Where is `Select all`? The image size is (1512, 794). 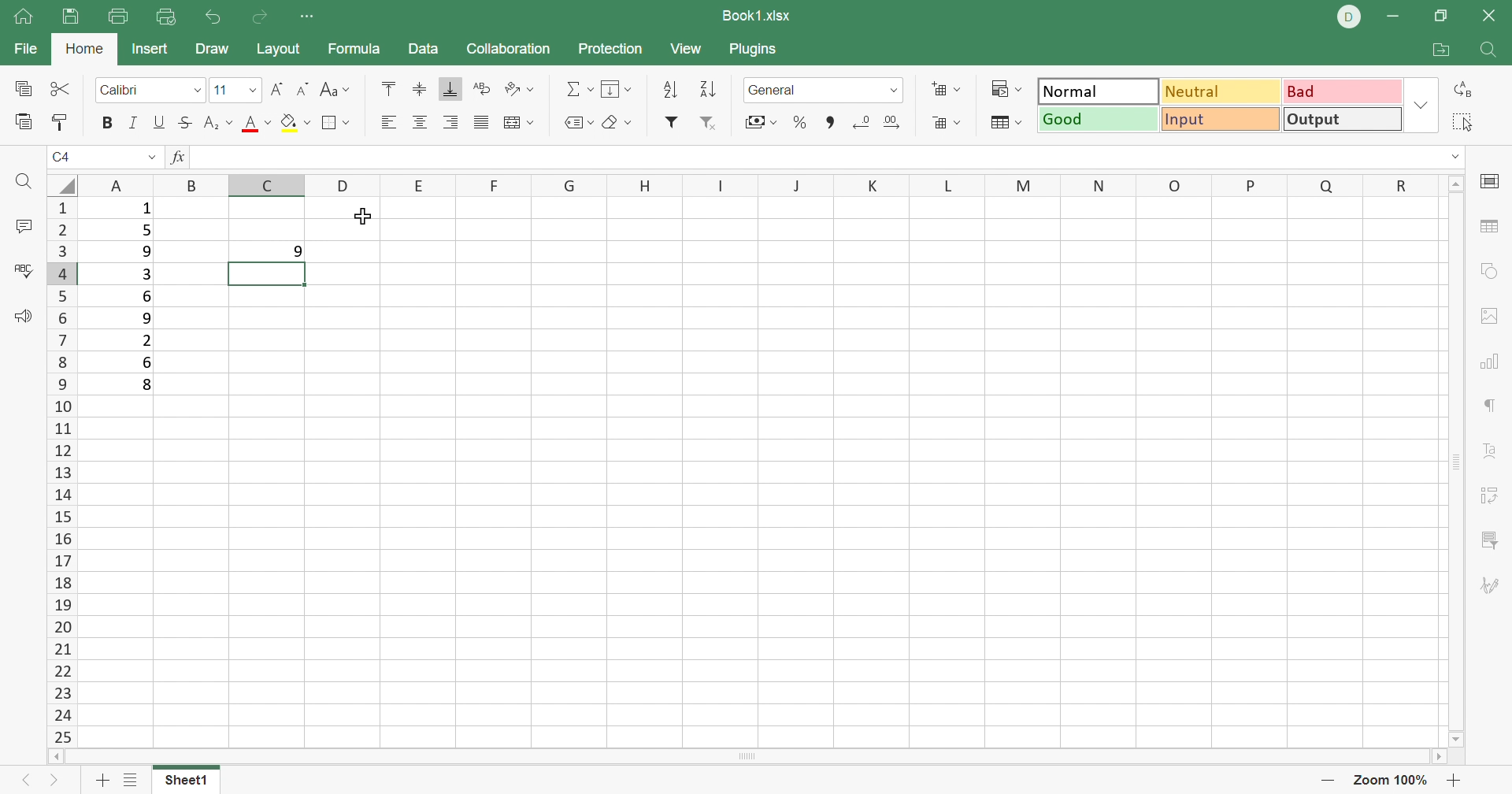
Select all is located at coordinates (1463, 124).